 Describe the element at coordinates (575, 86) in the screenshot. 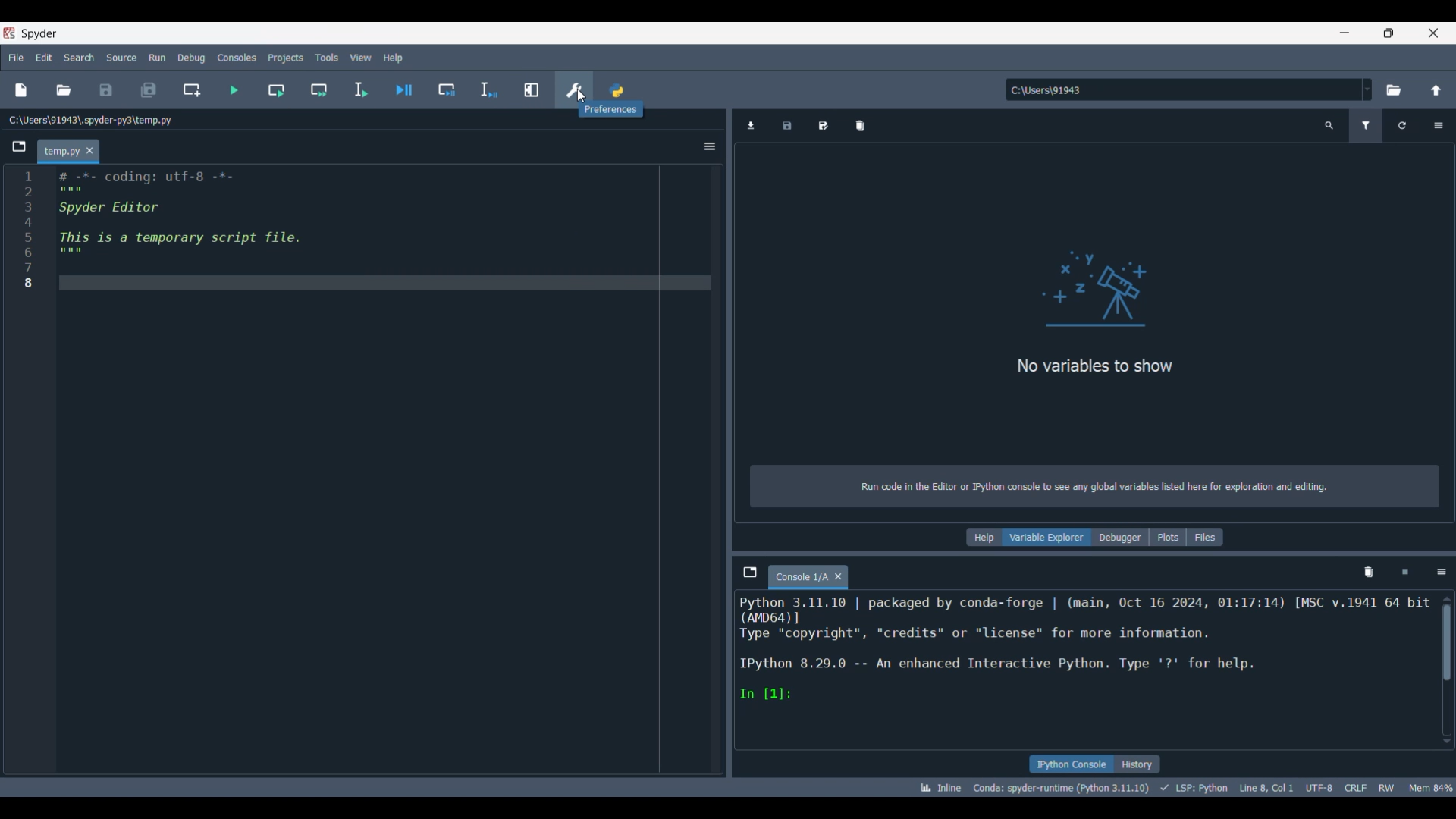

I see `Preferences` at that location.